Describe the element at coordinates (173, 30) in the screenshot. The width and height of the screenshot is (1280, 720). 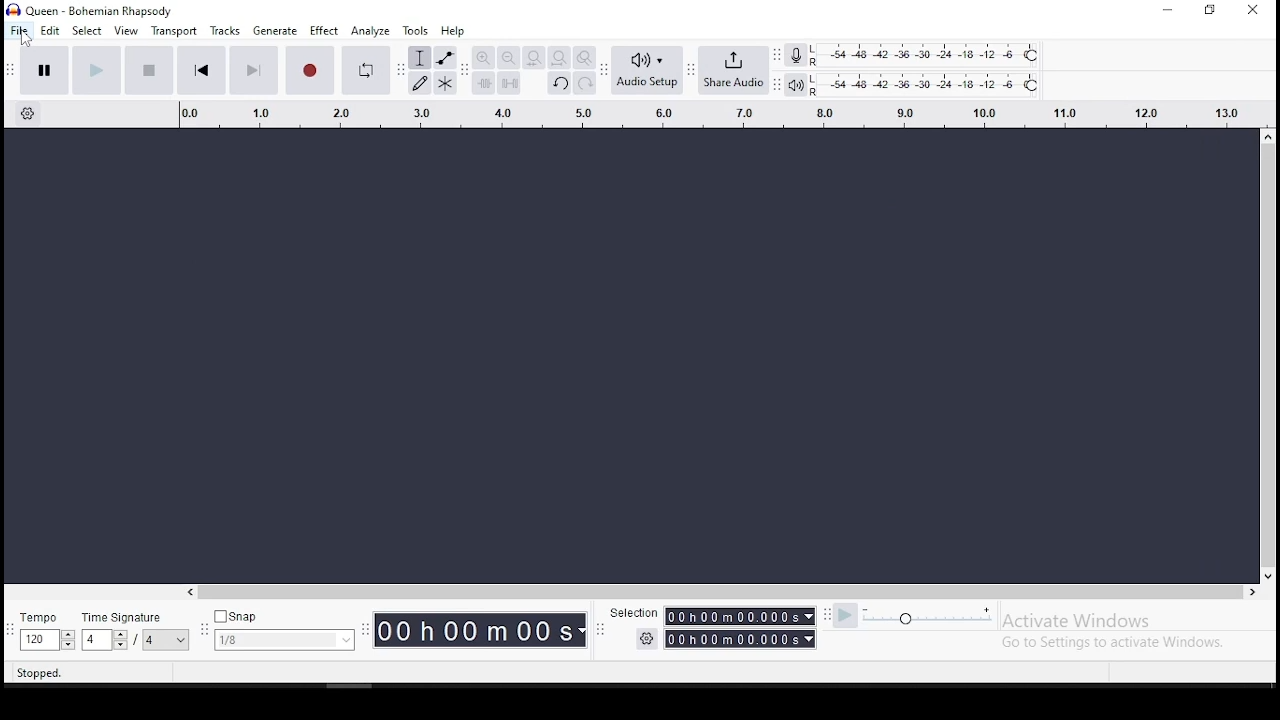
I see `transport` at that location.